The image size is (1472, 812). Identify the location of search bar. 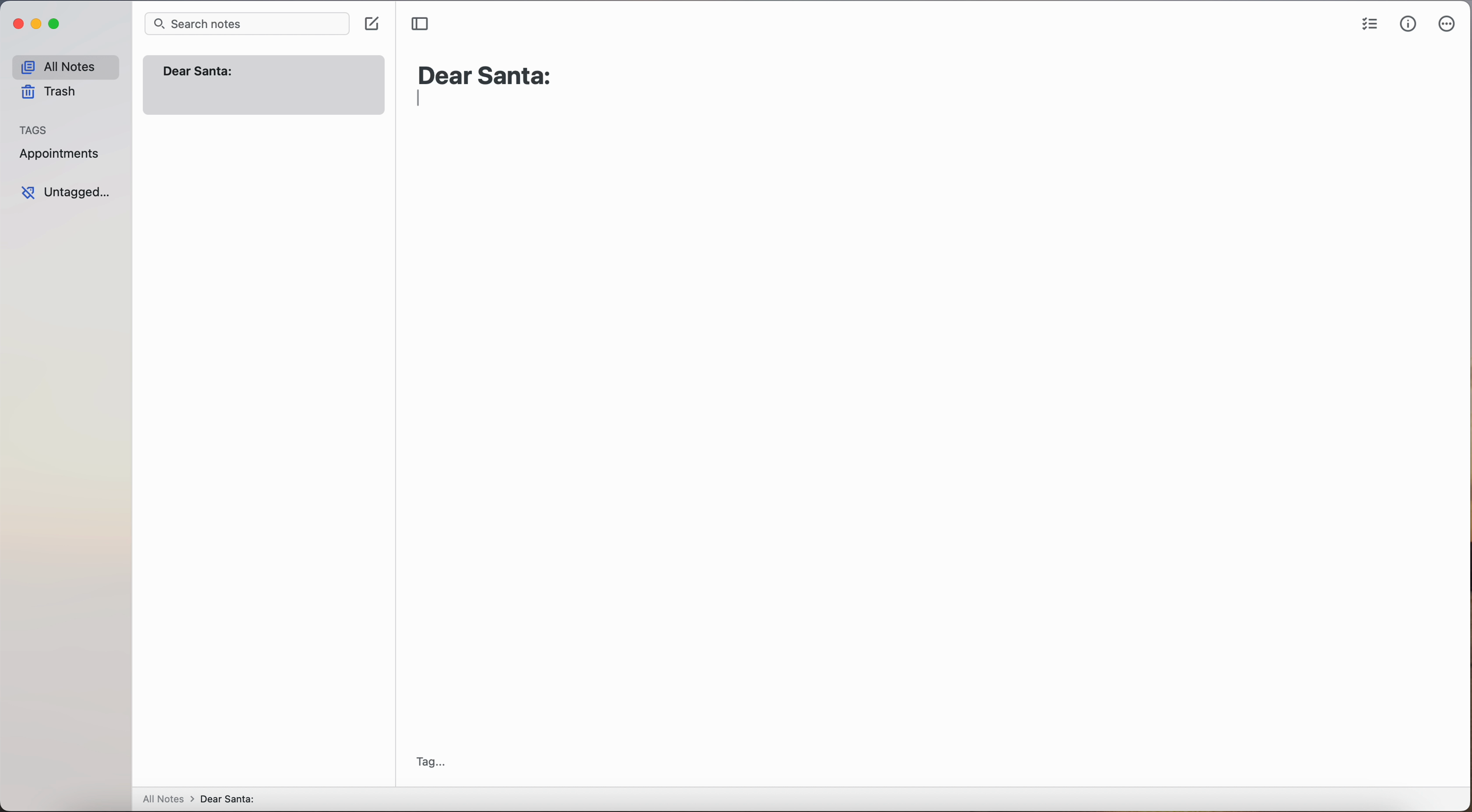
(246, 24).